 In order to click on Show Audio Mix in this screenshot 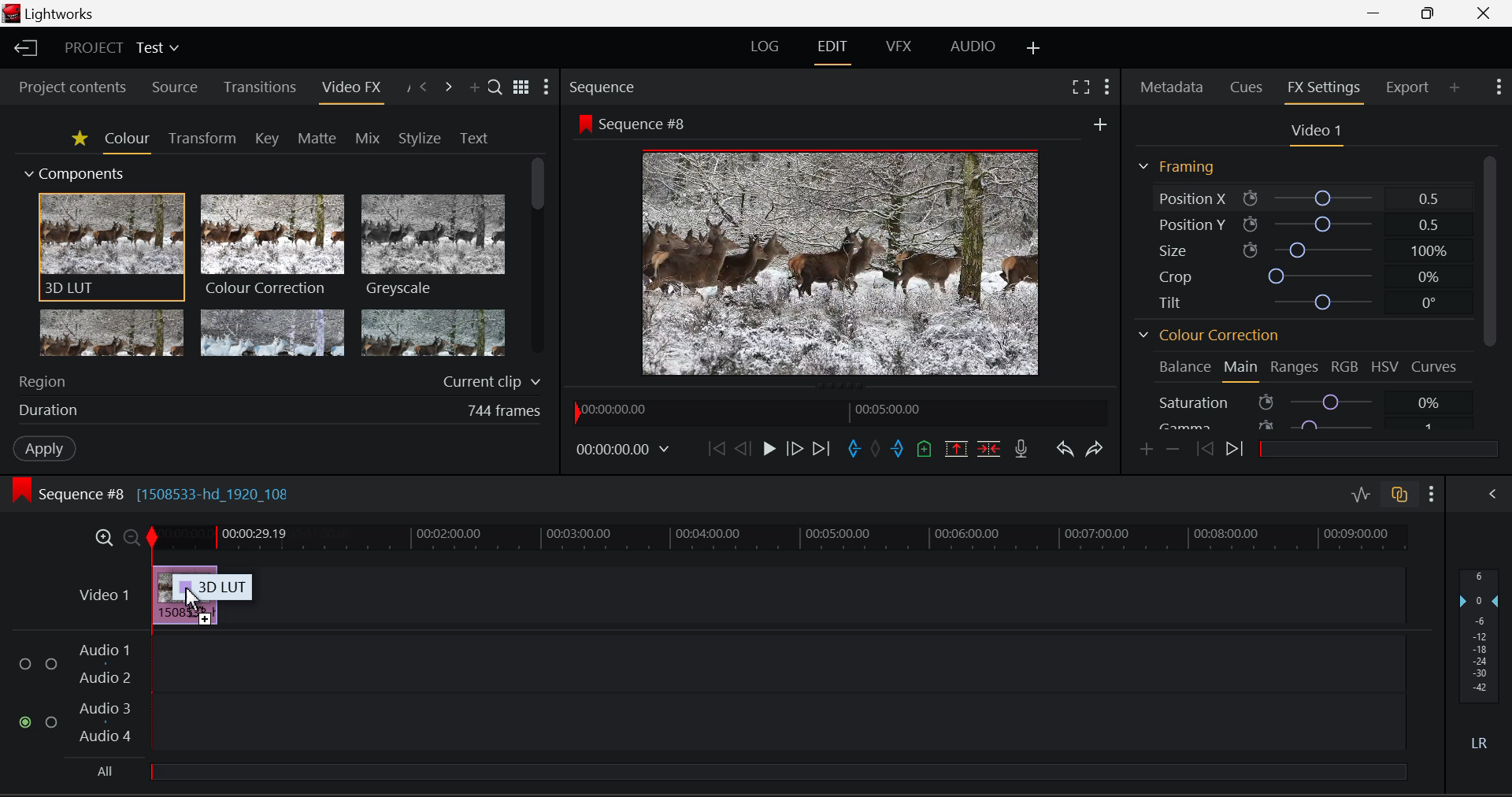, I will do `click(1488, 492)`.